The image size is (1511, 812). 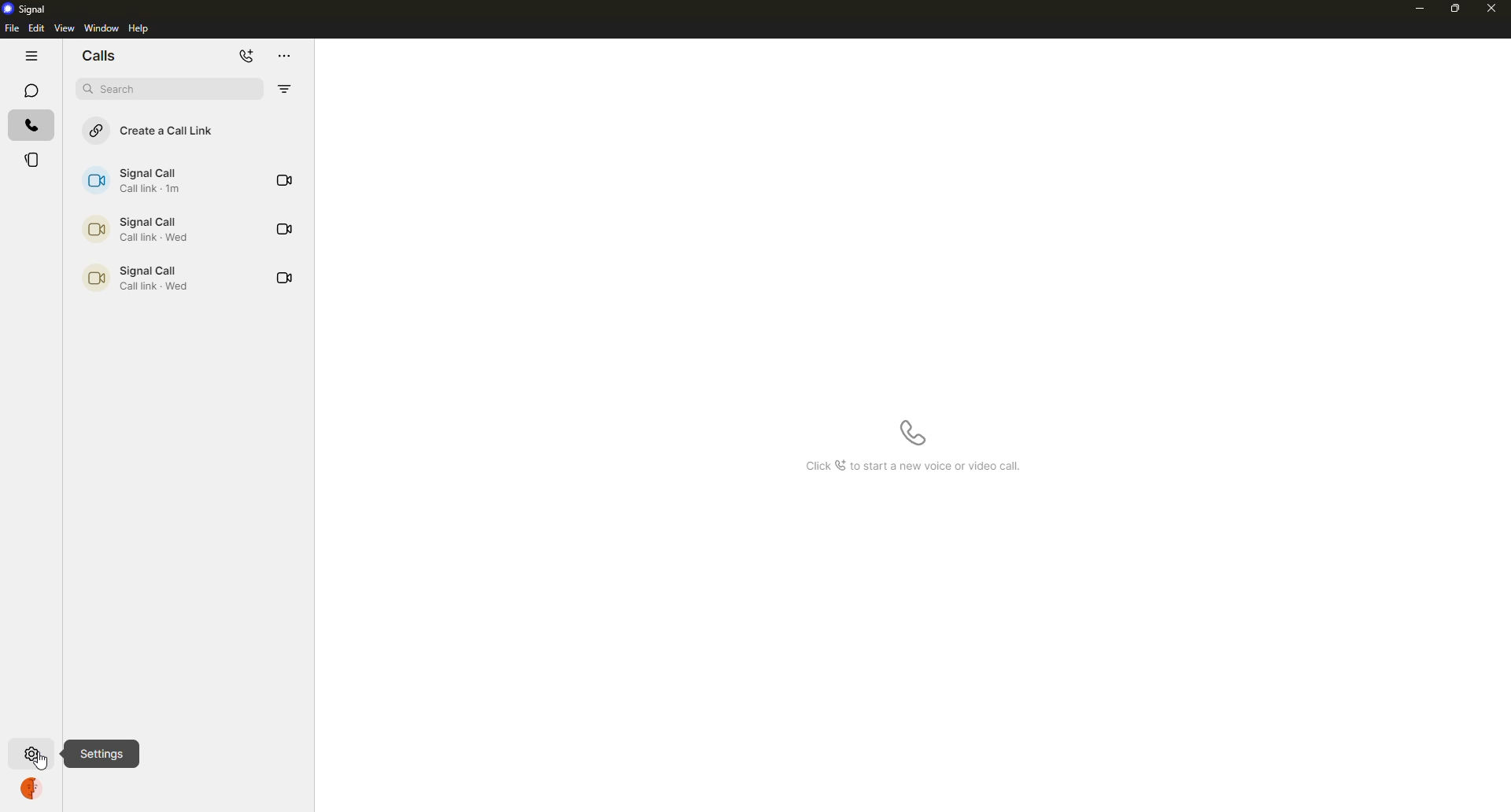 I want to click on add, so click(x=245, y=56).